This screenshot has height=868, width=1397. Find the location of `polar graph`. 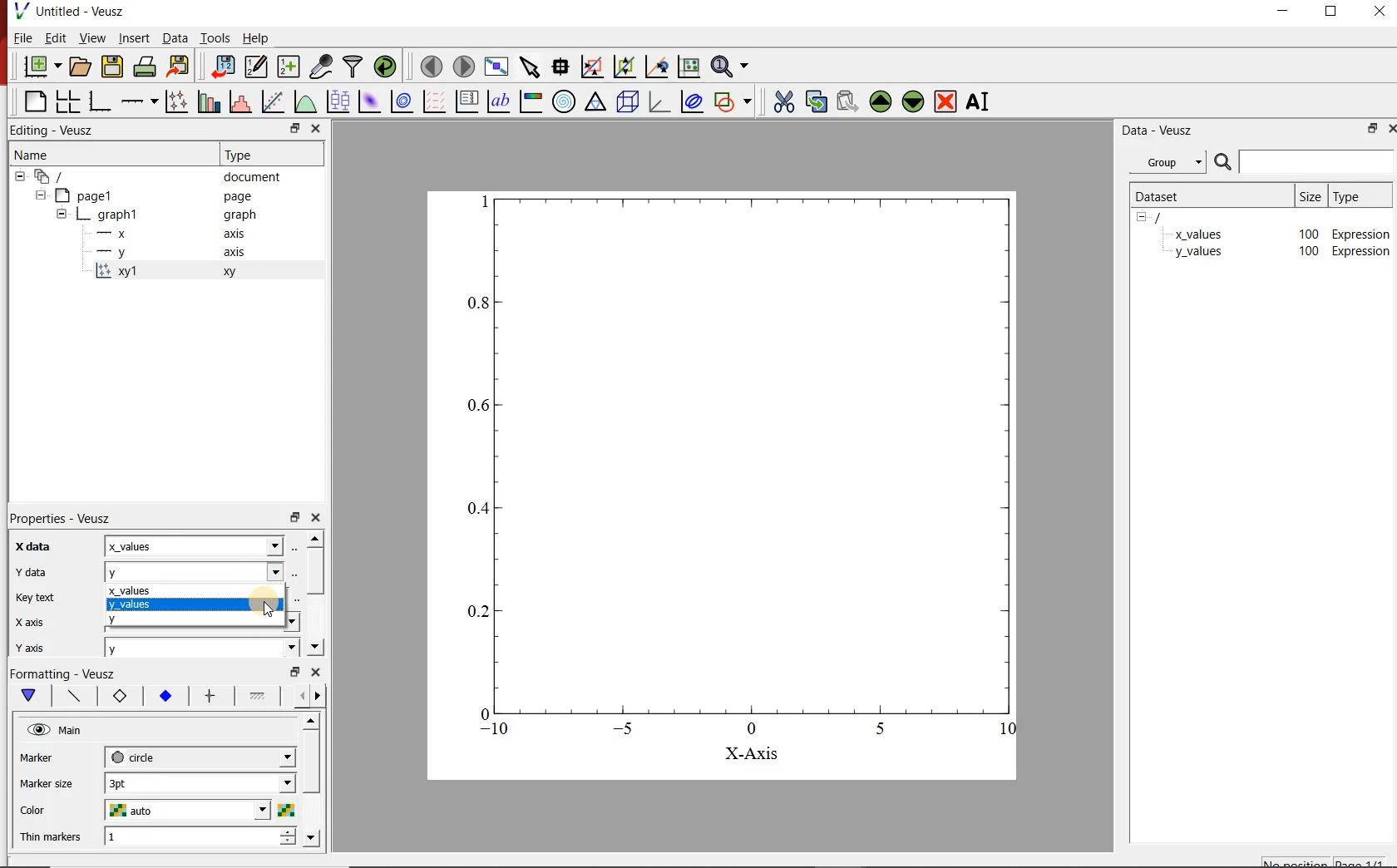

polar graph is located at coordinates (565, 103).